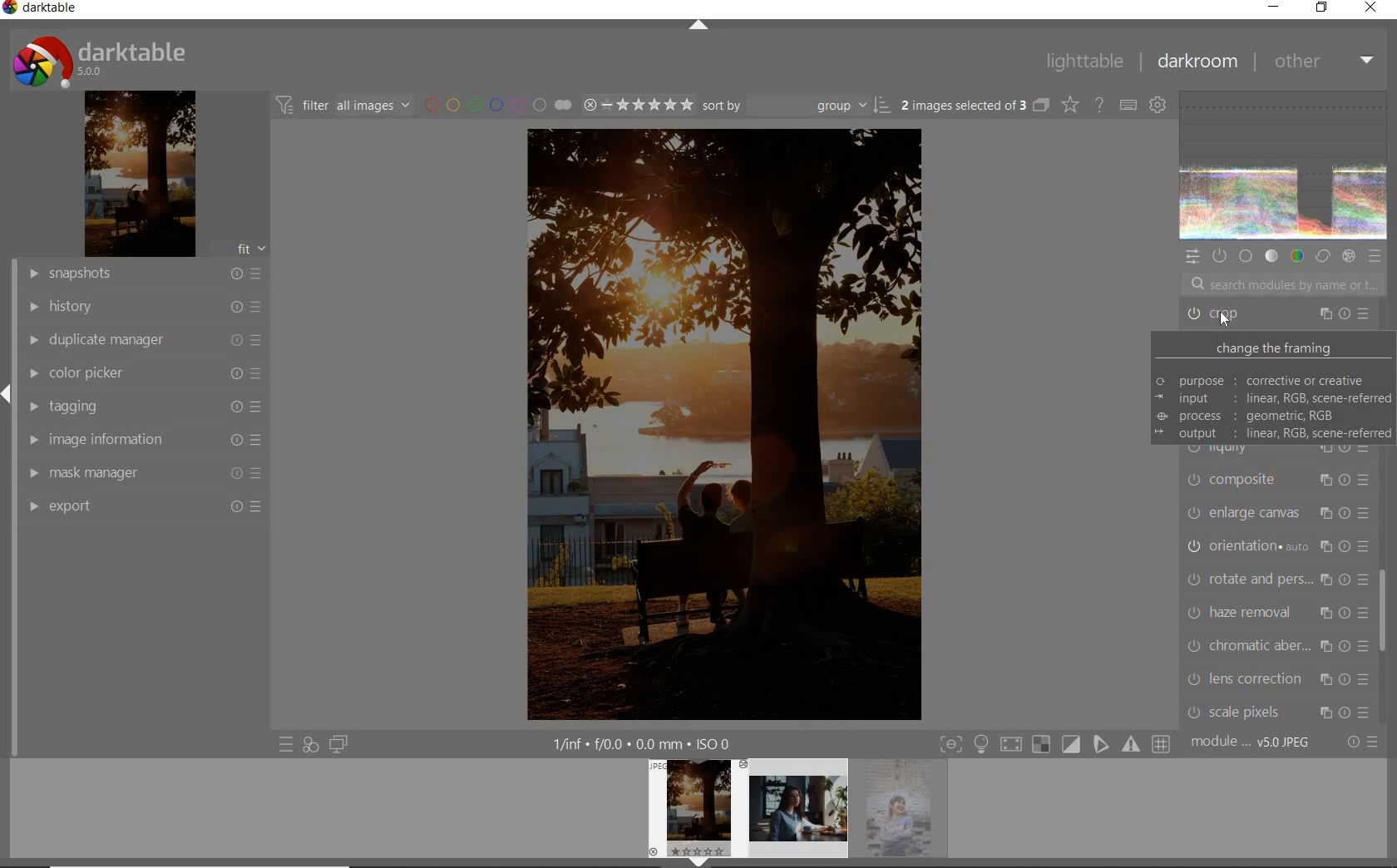 This screenshot has height=868, width=1397. What do you see at coordinates (143, 405) in the screenshot?
I see `tagging` at bounding box center [143, 405].